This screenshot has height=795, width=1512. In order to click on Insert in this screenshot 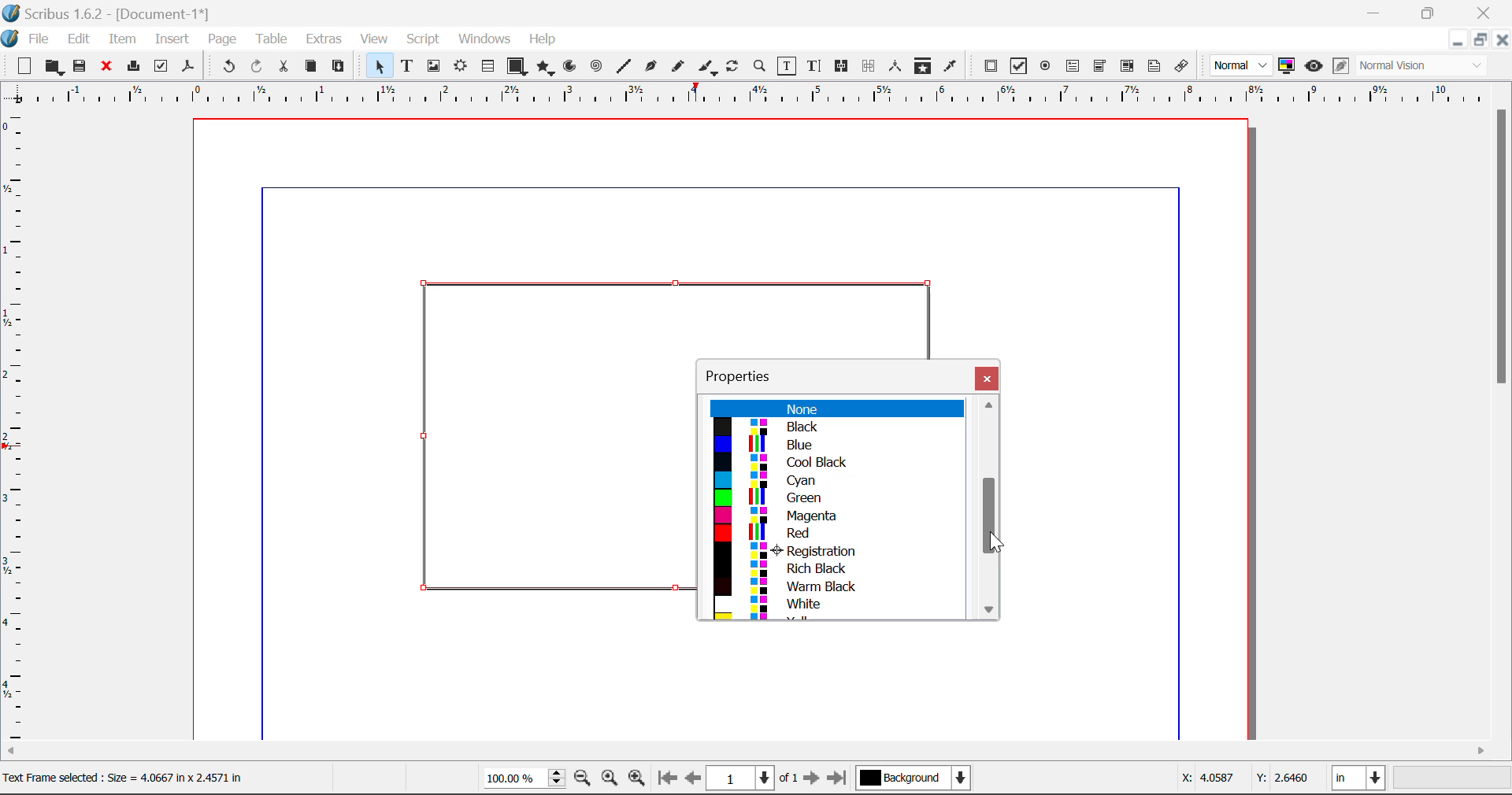, I will do `click(171, 39)`.